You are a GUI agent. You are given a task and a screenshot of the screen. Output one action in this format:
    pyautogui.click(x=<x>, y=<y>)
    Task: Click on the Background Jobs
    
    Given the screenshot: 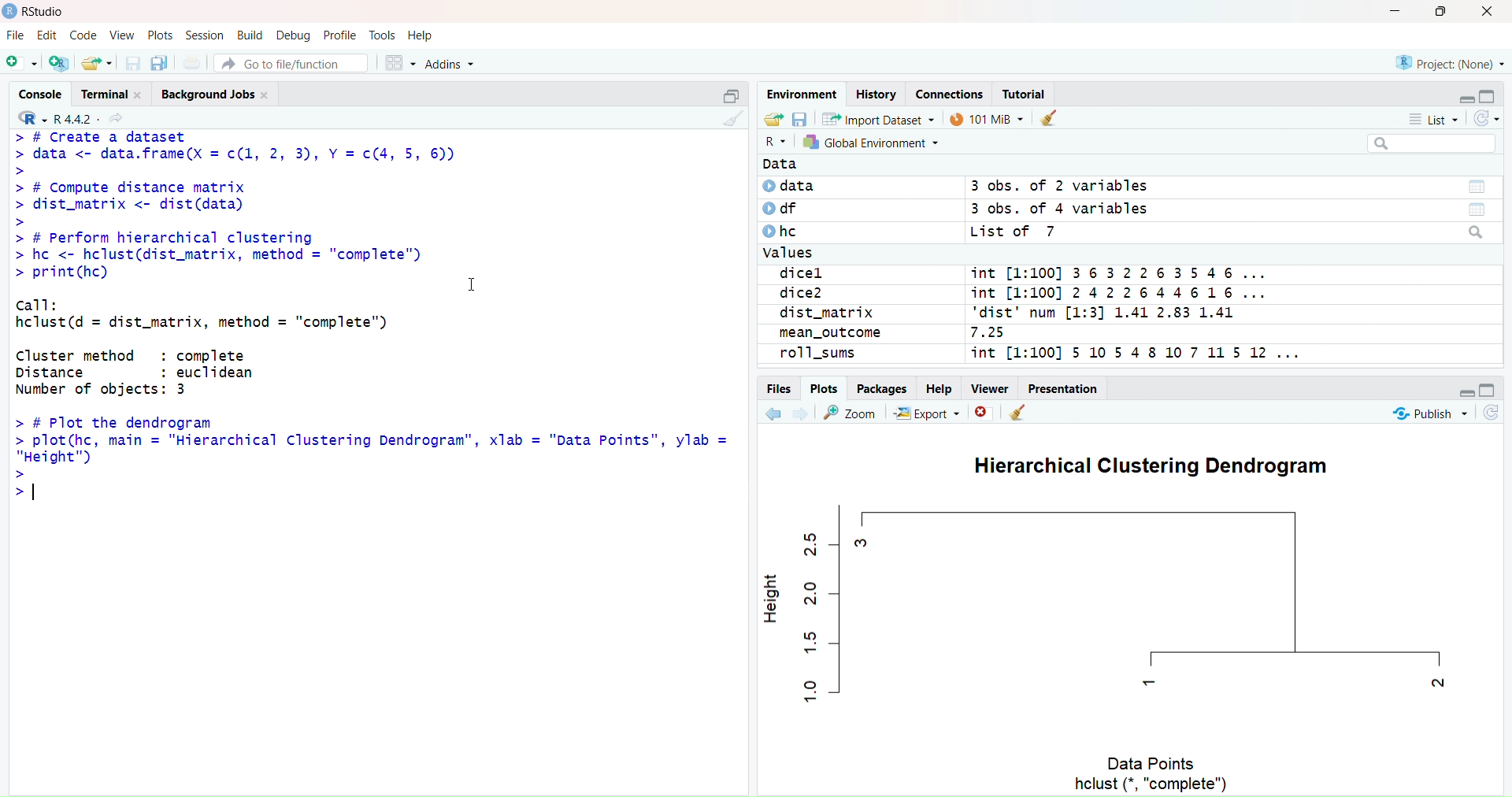 What is the action you would take?
    pyautogui.click(x=213, y=91)
    